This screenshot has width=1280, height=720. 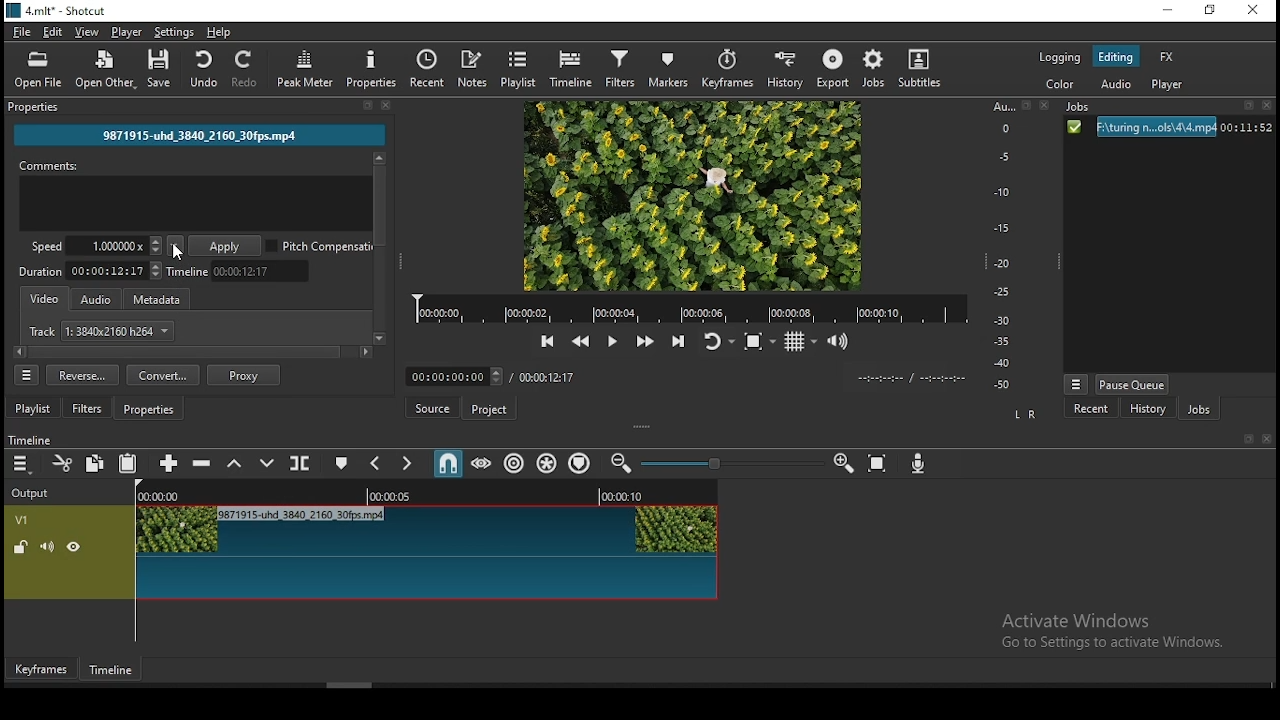 What do you see at coordinates (39, 70) in the screenshot?
I see `open file` at bounding box center [39, 70].